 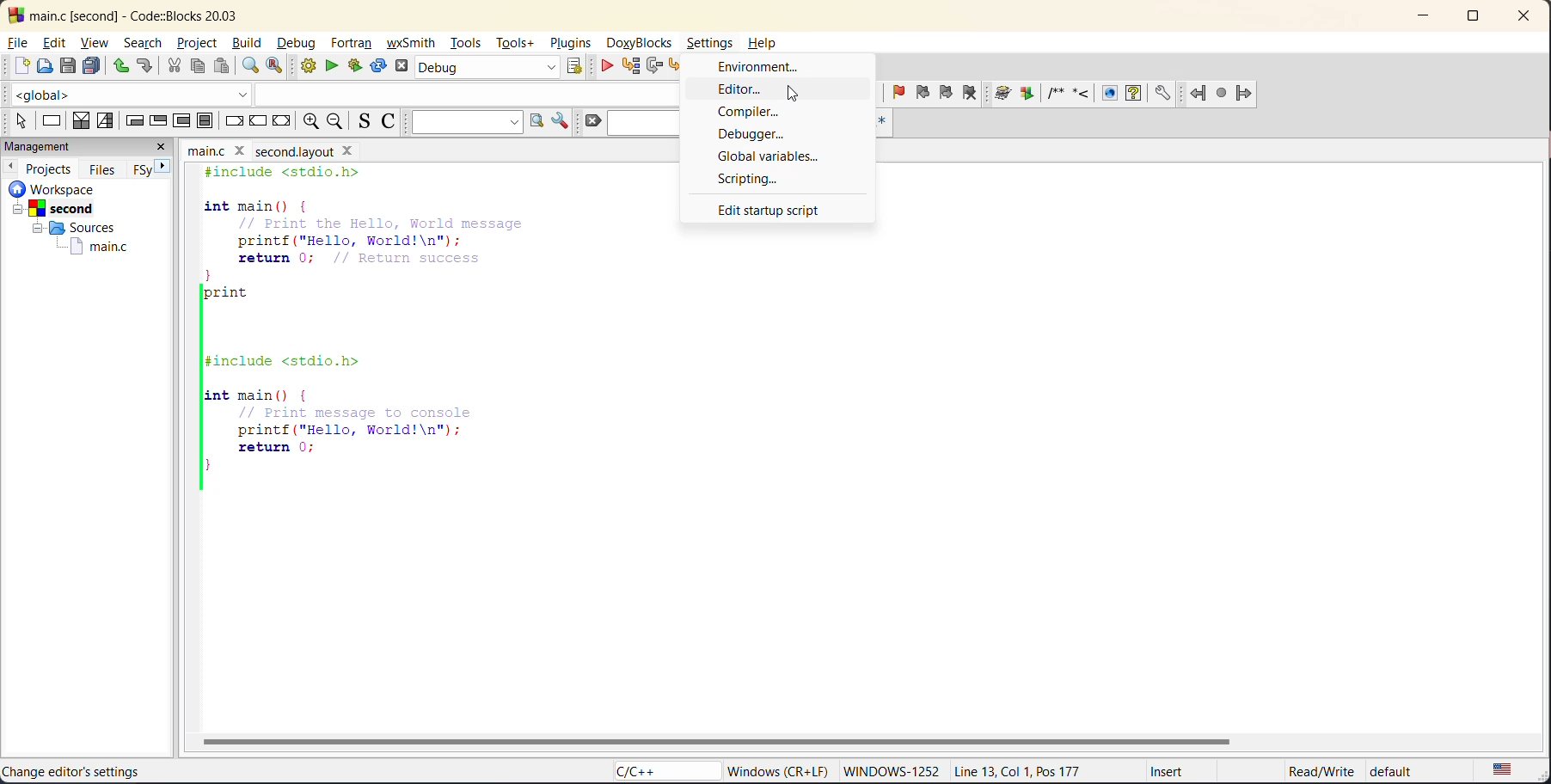 I want to click on plugins, so click(x=568, y=44).